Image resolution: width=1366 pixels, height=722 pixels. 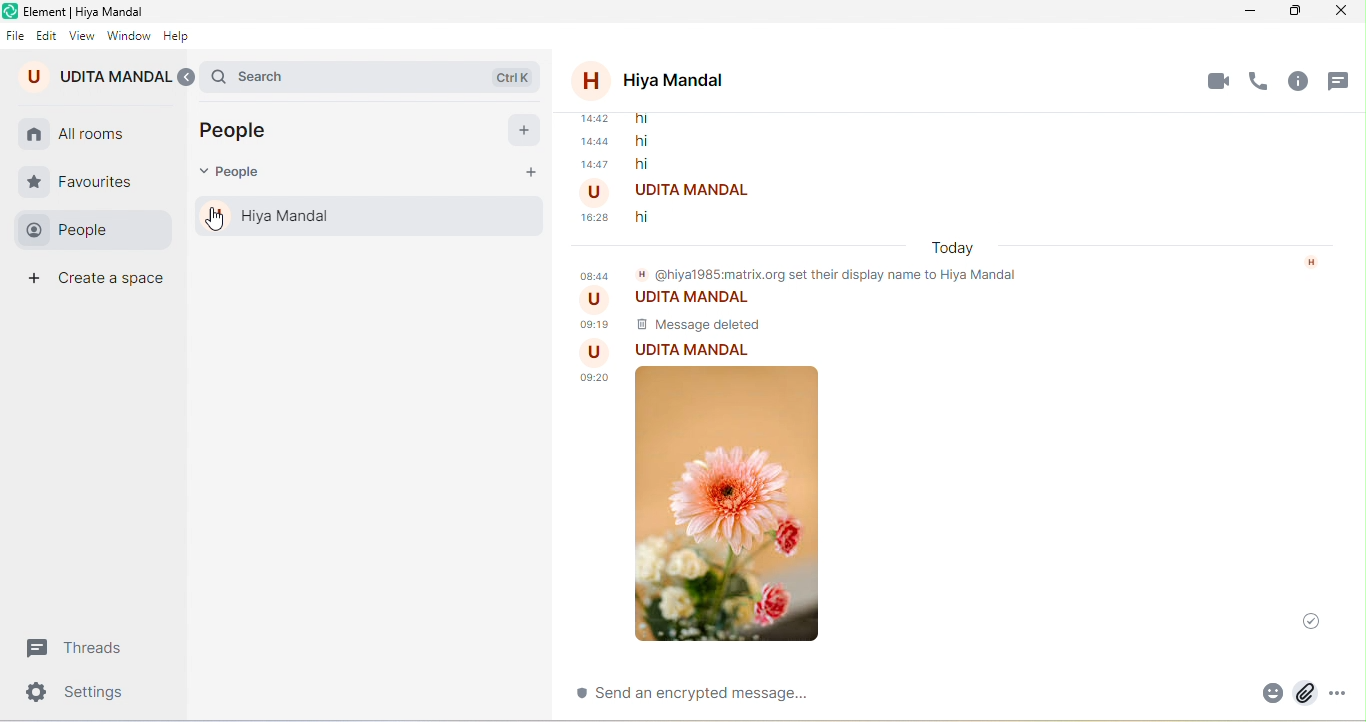 What do you see at coordinates (1272, 694) in the screenshot?
I see `attachment` at bounding box center [1272, 694].